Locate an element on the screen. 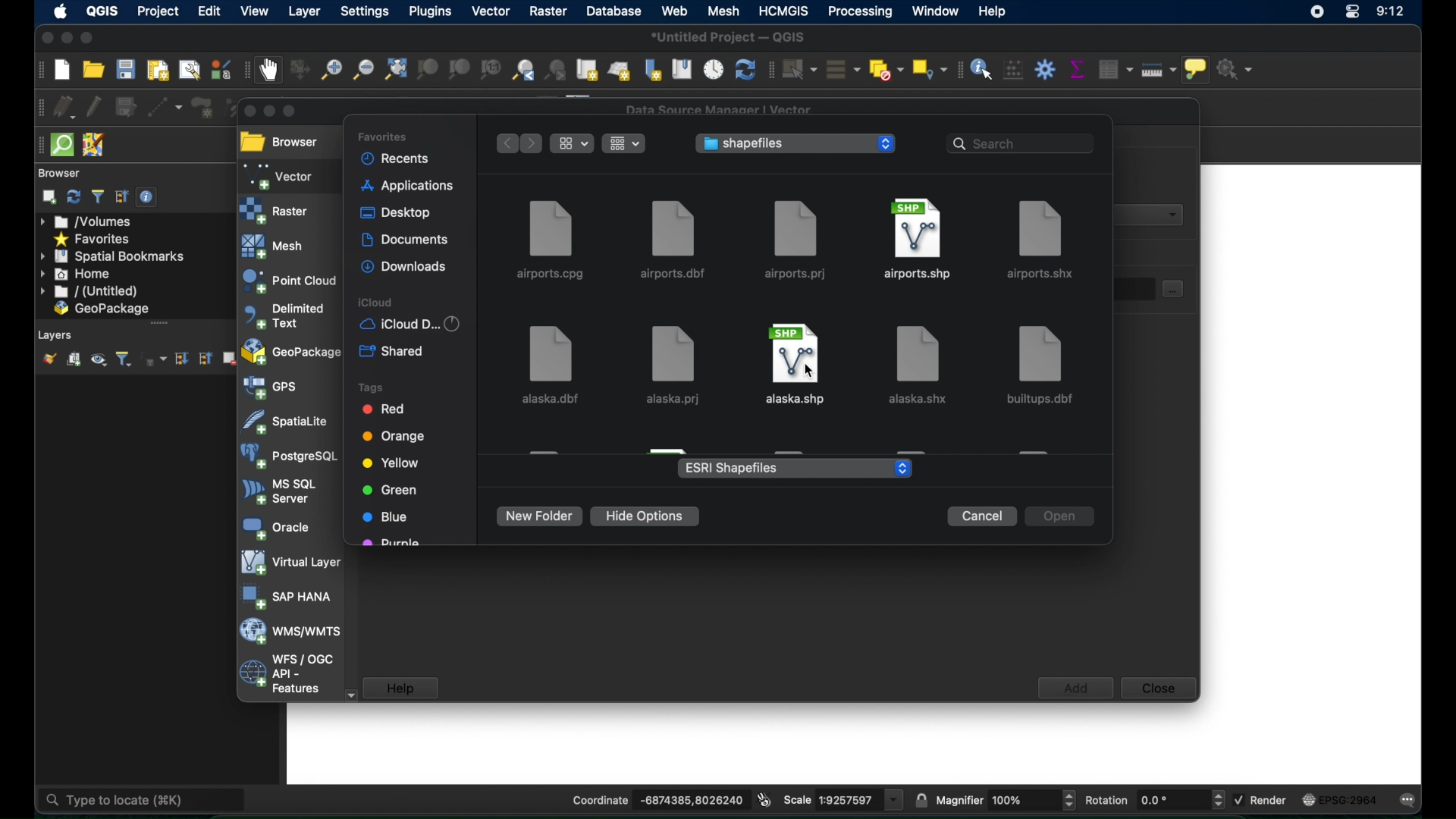 The image size is (1456, 819). show statistical summary is located at coordinates (1076, 67).